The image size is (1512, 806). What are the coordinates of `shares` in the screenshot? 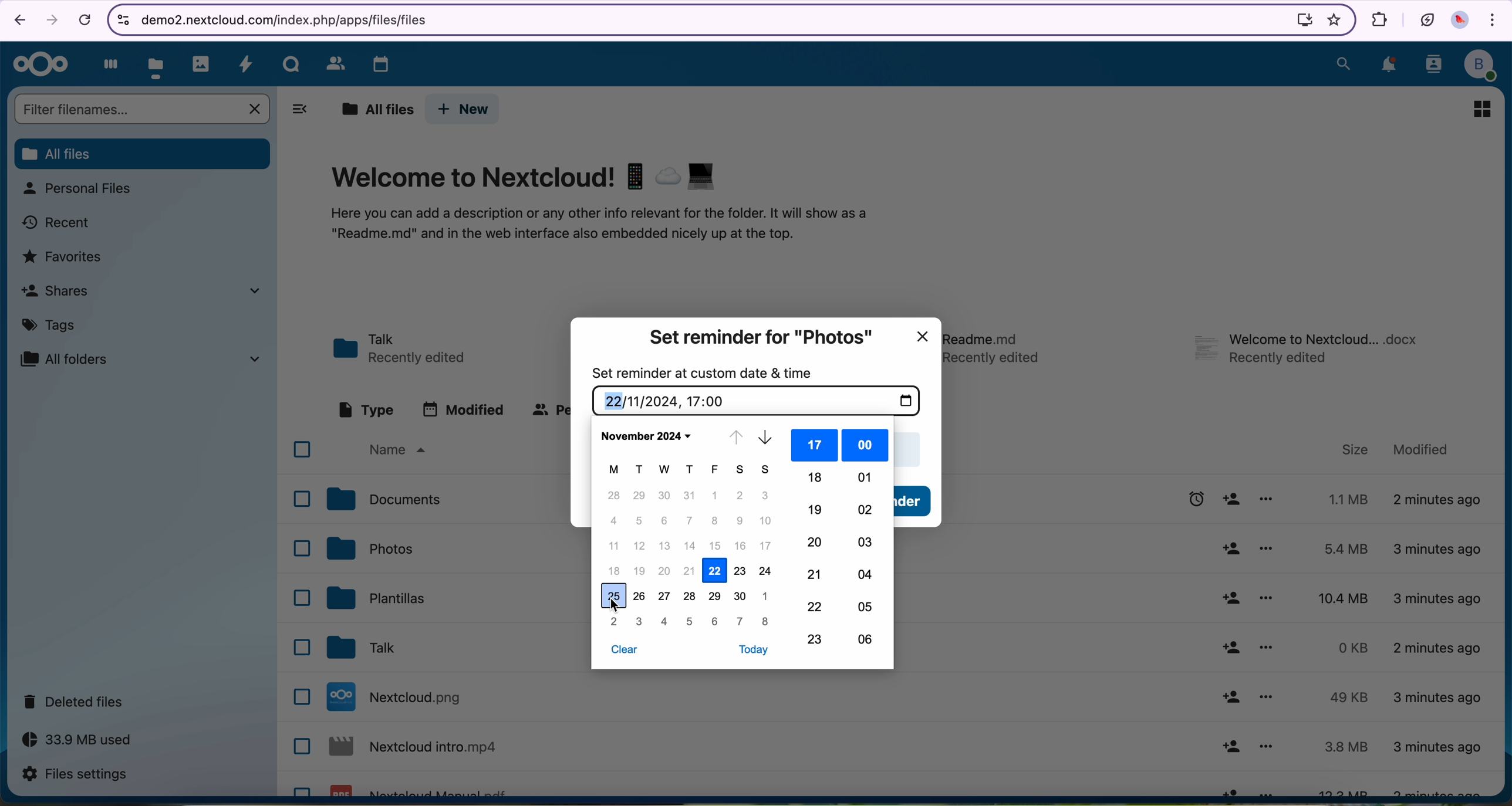 It's located at (147, 293).